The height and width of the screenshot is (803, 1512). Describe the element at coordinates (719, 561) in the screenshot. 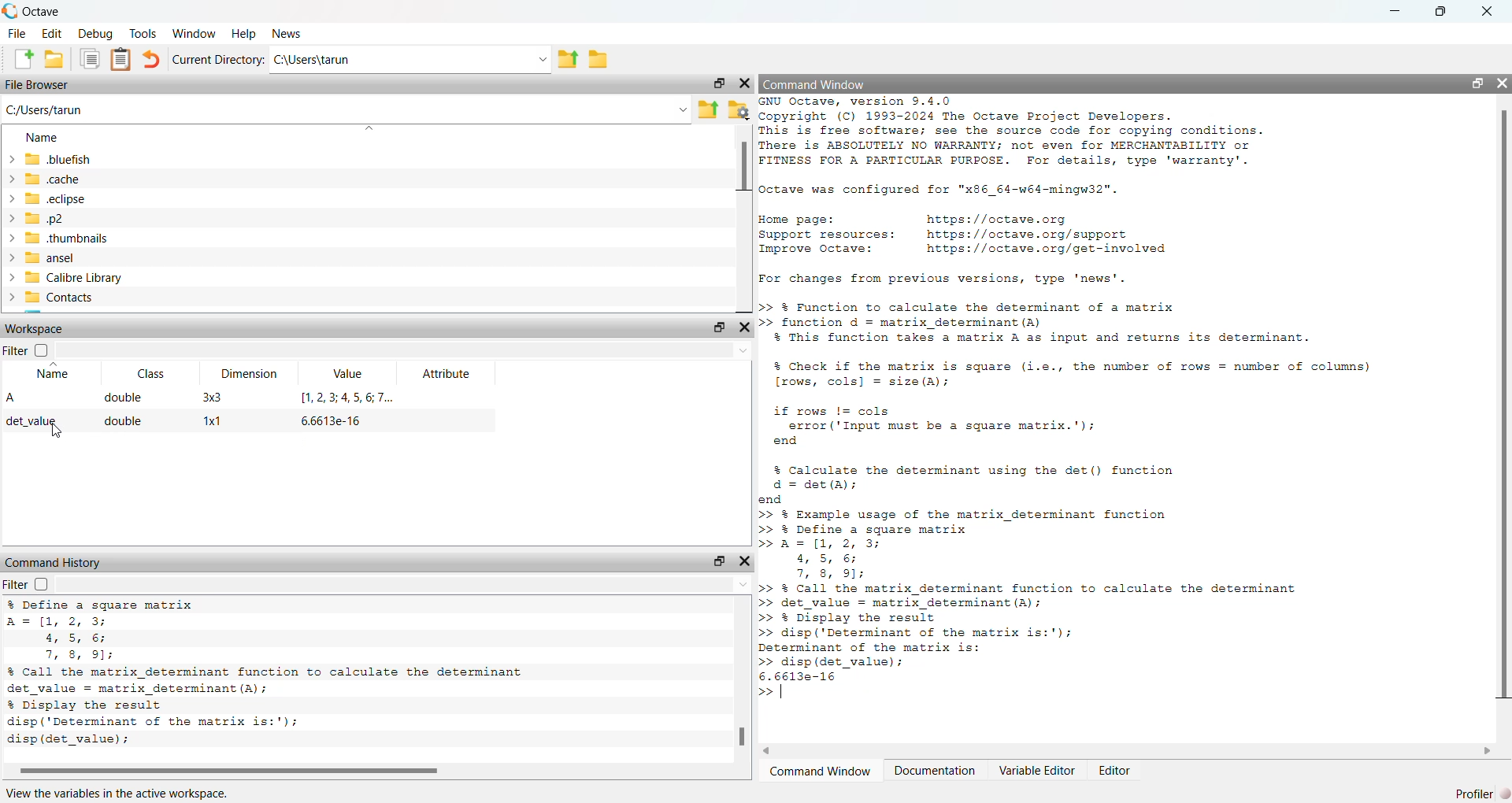

I see `maximize` at that location.